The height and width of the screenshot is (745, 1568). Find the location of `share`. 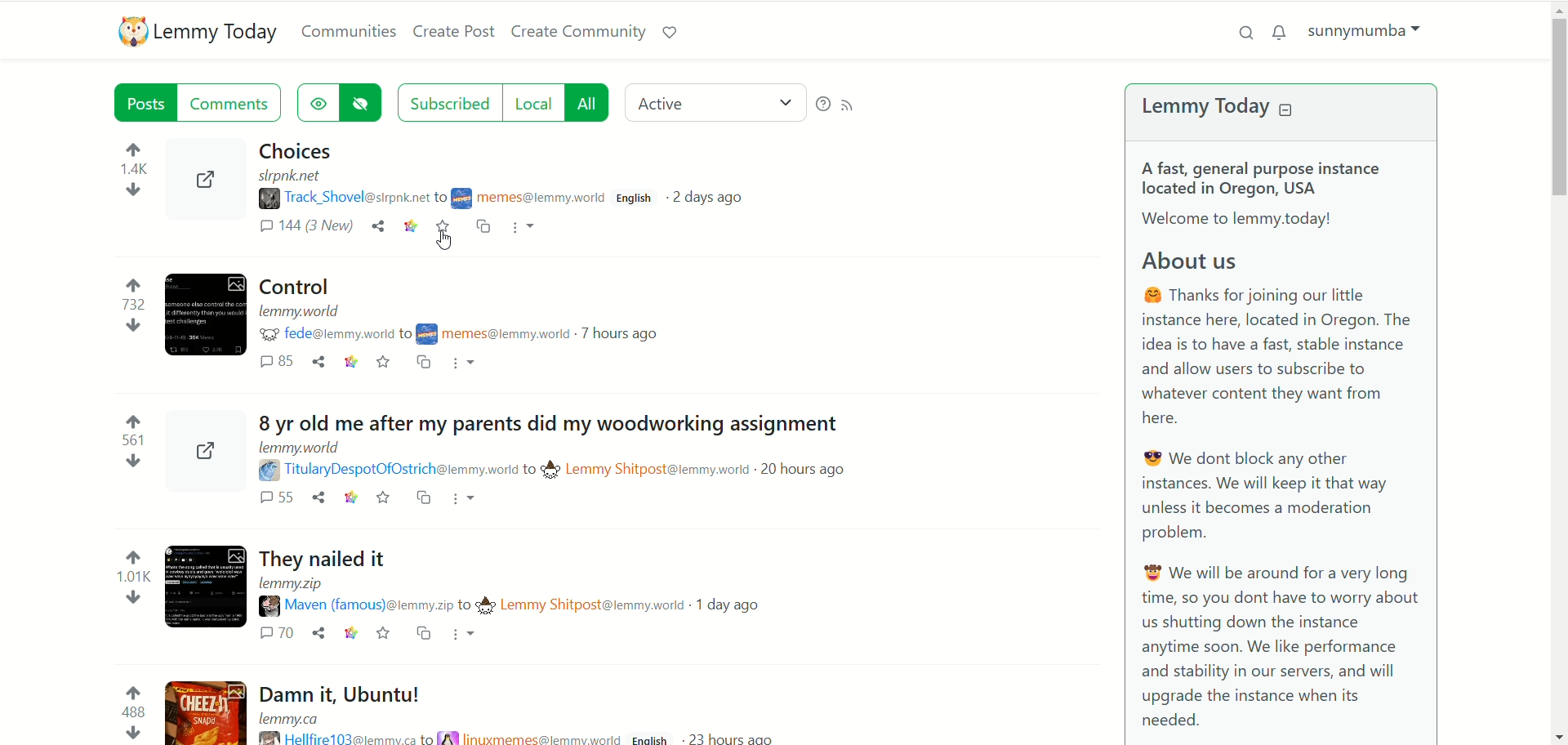

share is located at coordinates (317, 498).